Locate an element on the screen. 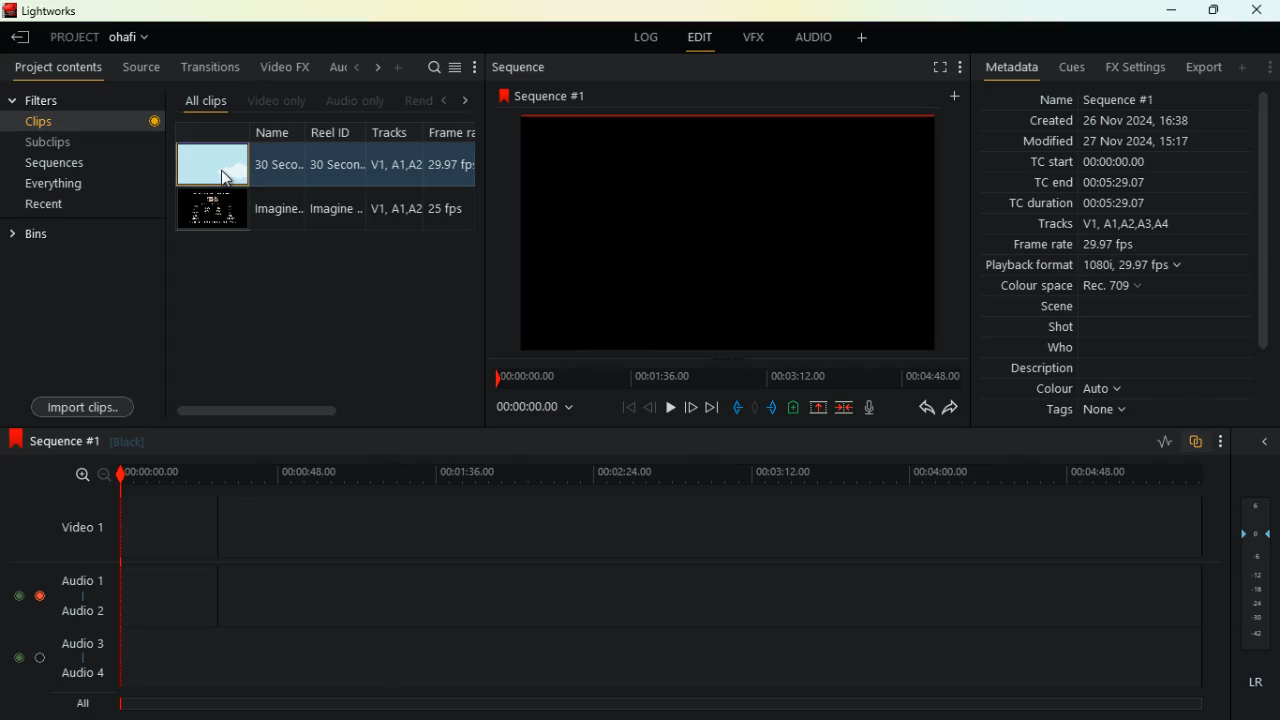 The width and height of the screenshot is (1280, 720). right is located at coordinates (379, 67).